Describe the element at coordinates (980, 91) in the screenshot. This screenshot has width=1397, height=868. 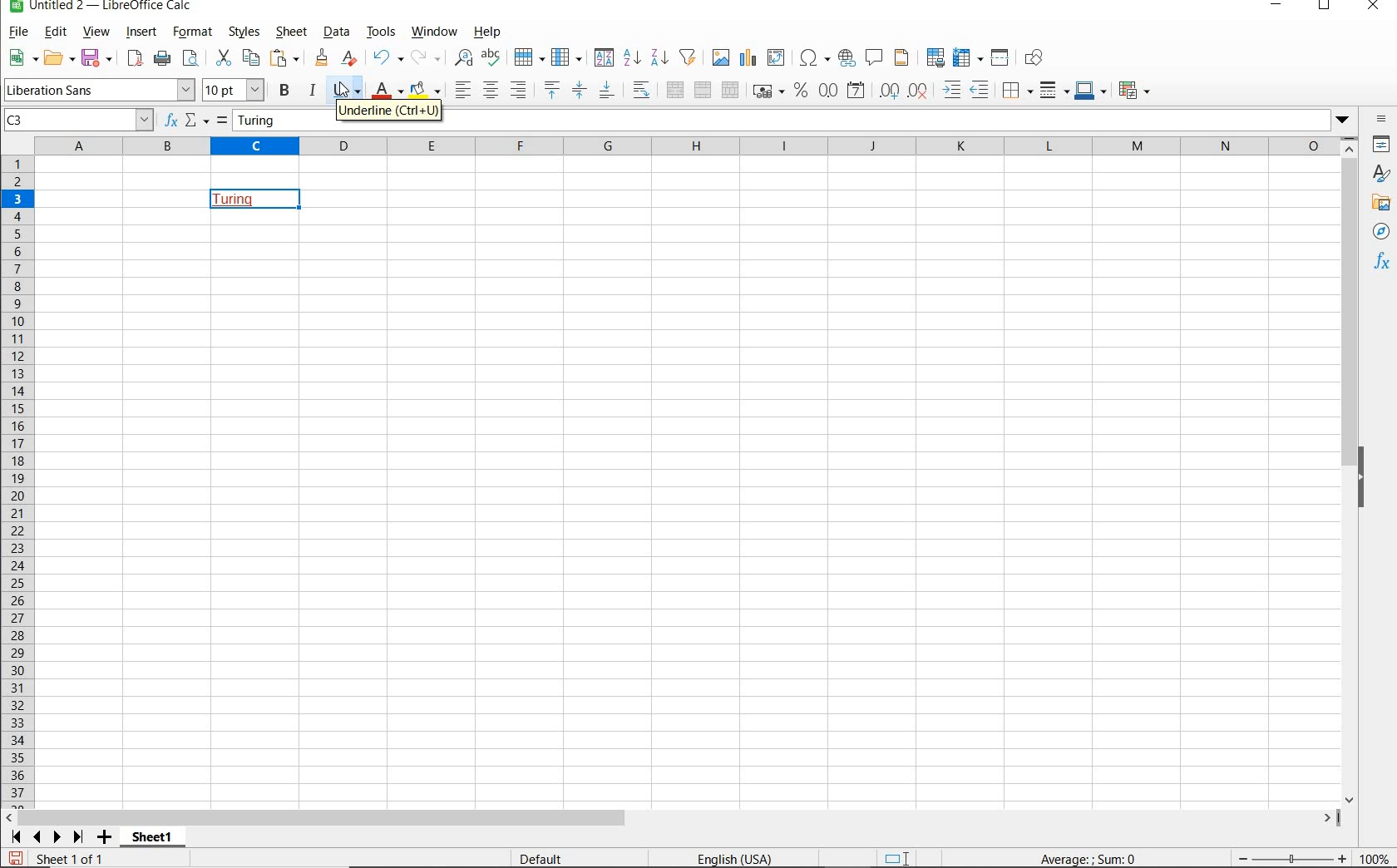
I see `DECREASE INDENT` at that location.